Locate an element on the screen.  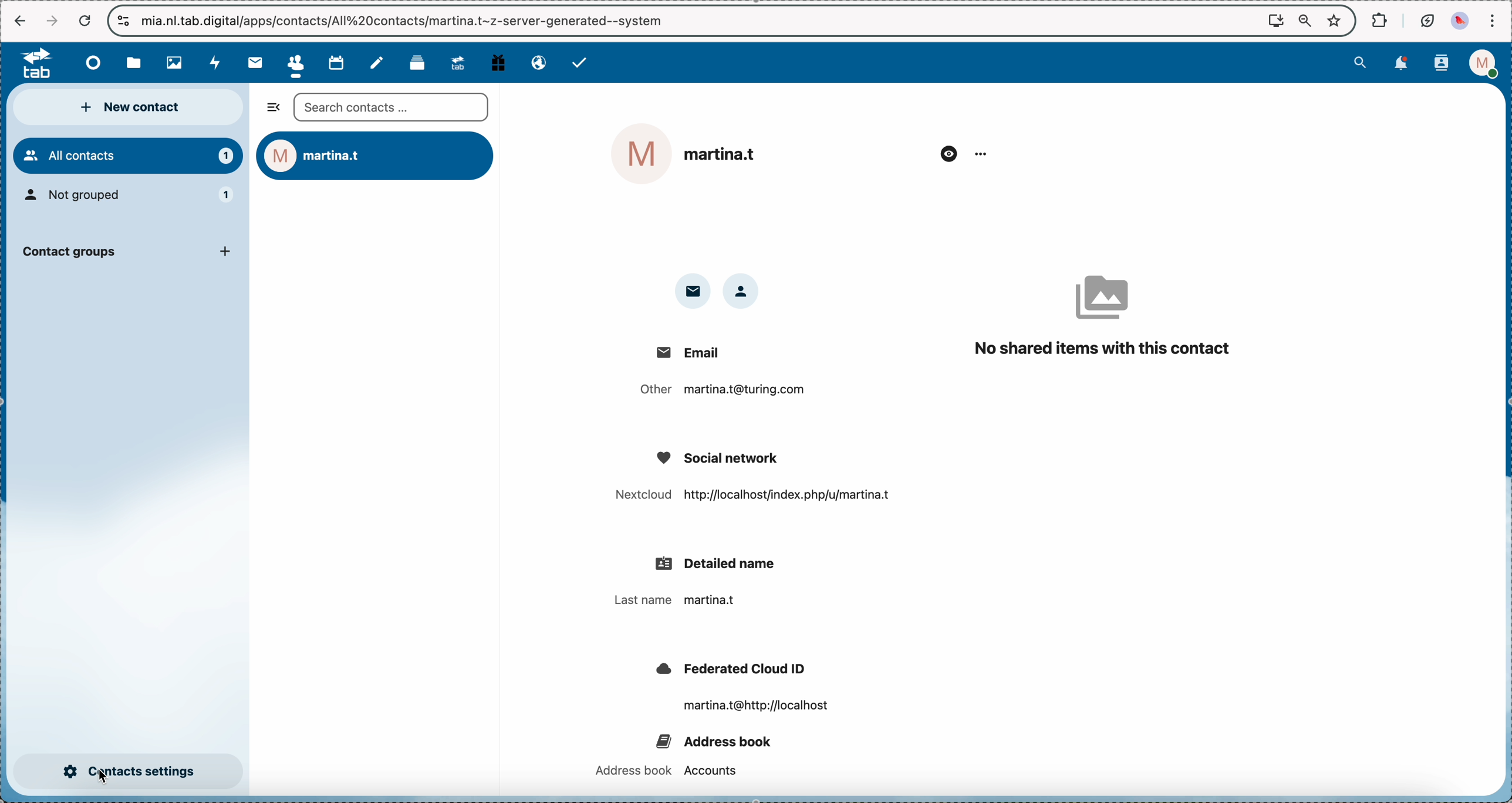
activity is located at coordinates (218, 63).